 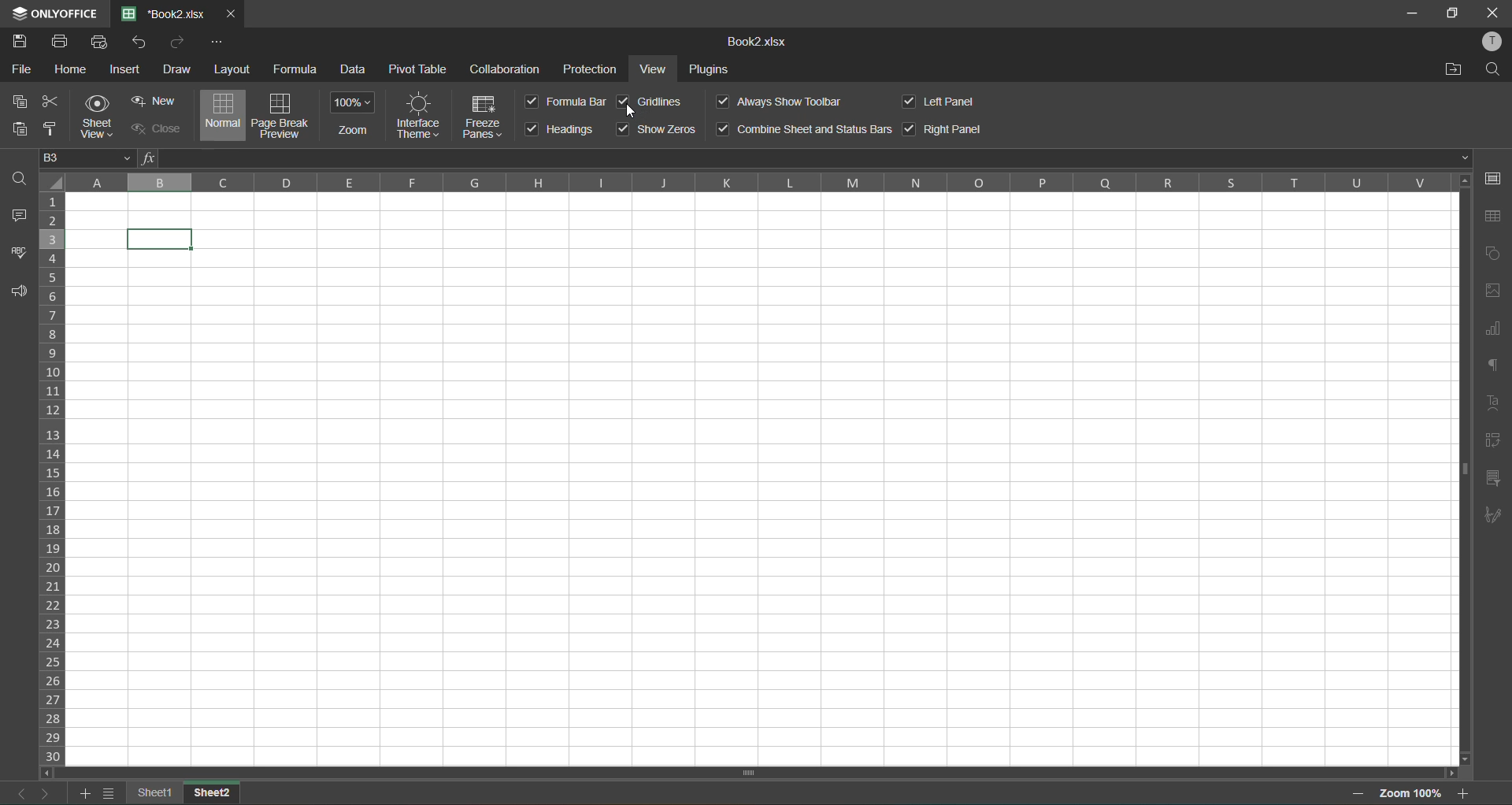 What do you see at coordinates (43, 792) in the screenshot?
I see `next` at bounding box center [43, 792].